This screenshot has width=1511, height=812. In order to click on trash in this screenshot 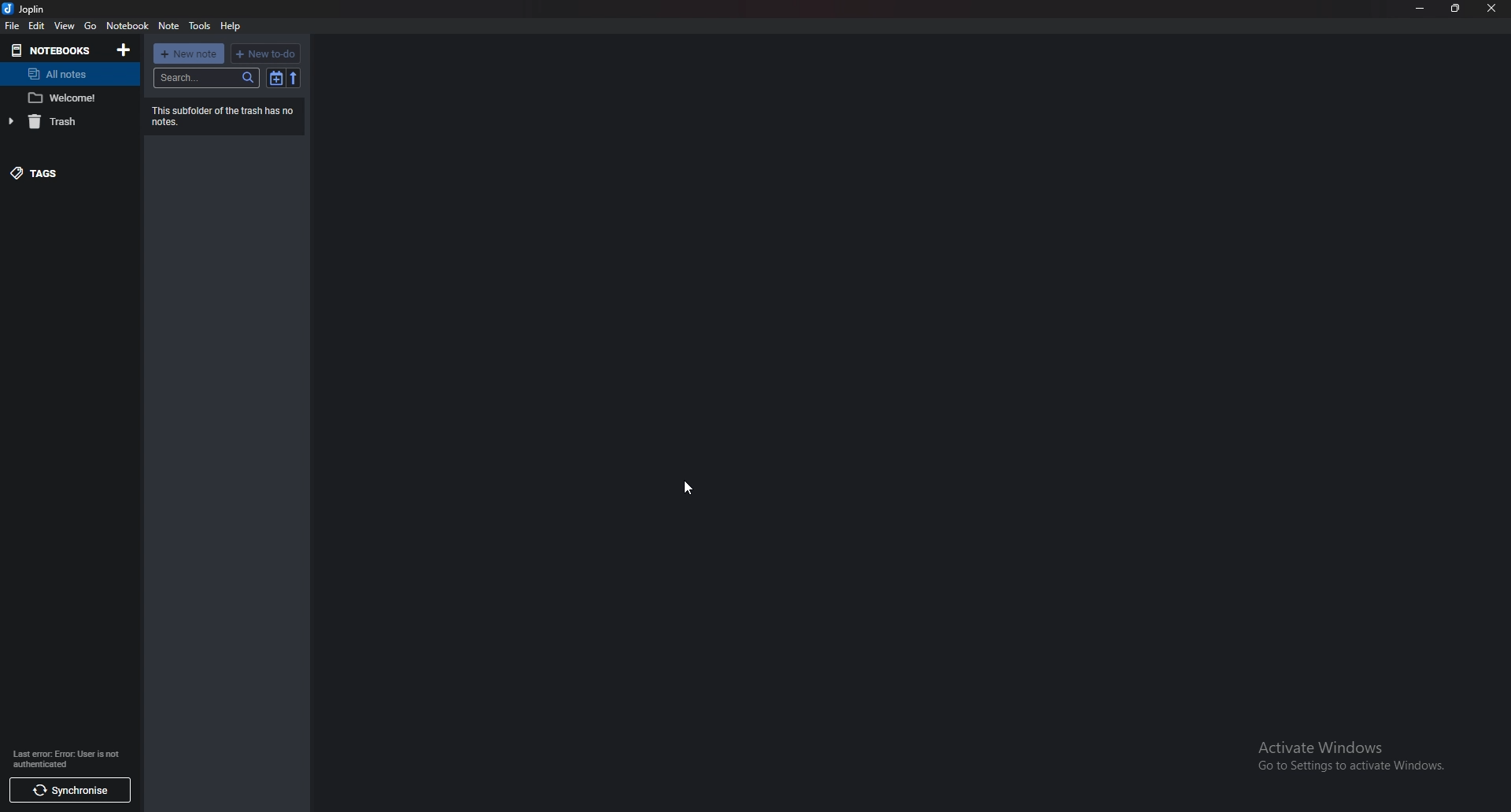, I will do `click(56, 121)`.